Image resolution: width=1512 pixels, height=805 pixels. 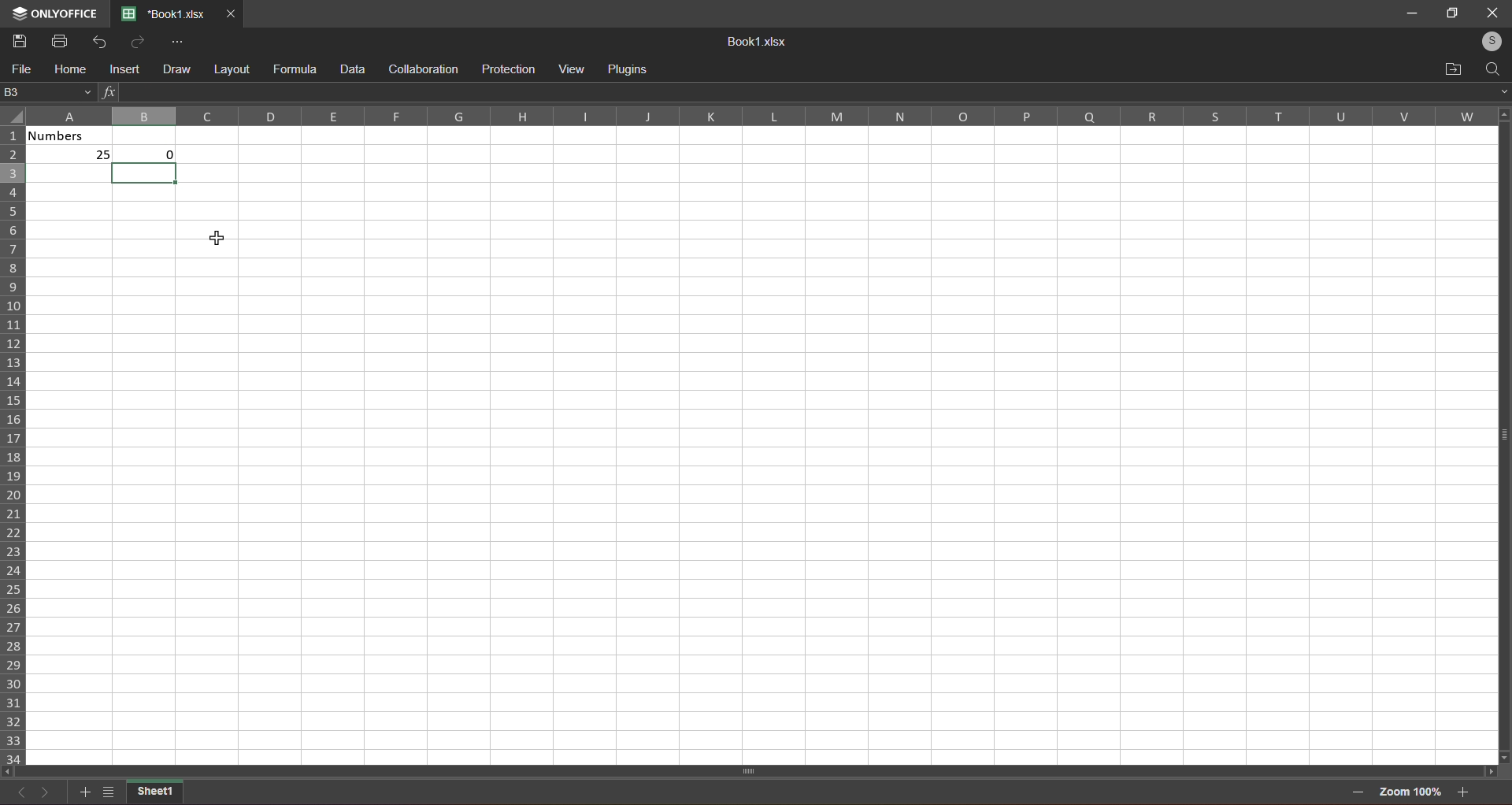 I want to click on numbers, so click(x=74, y=149).